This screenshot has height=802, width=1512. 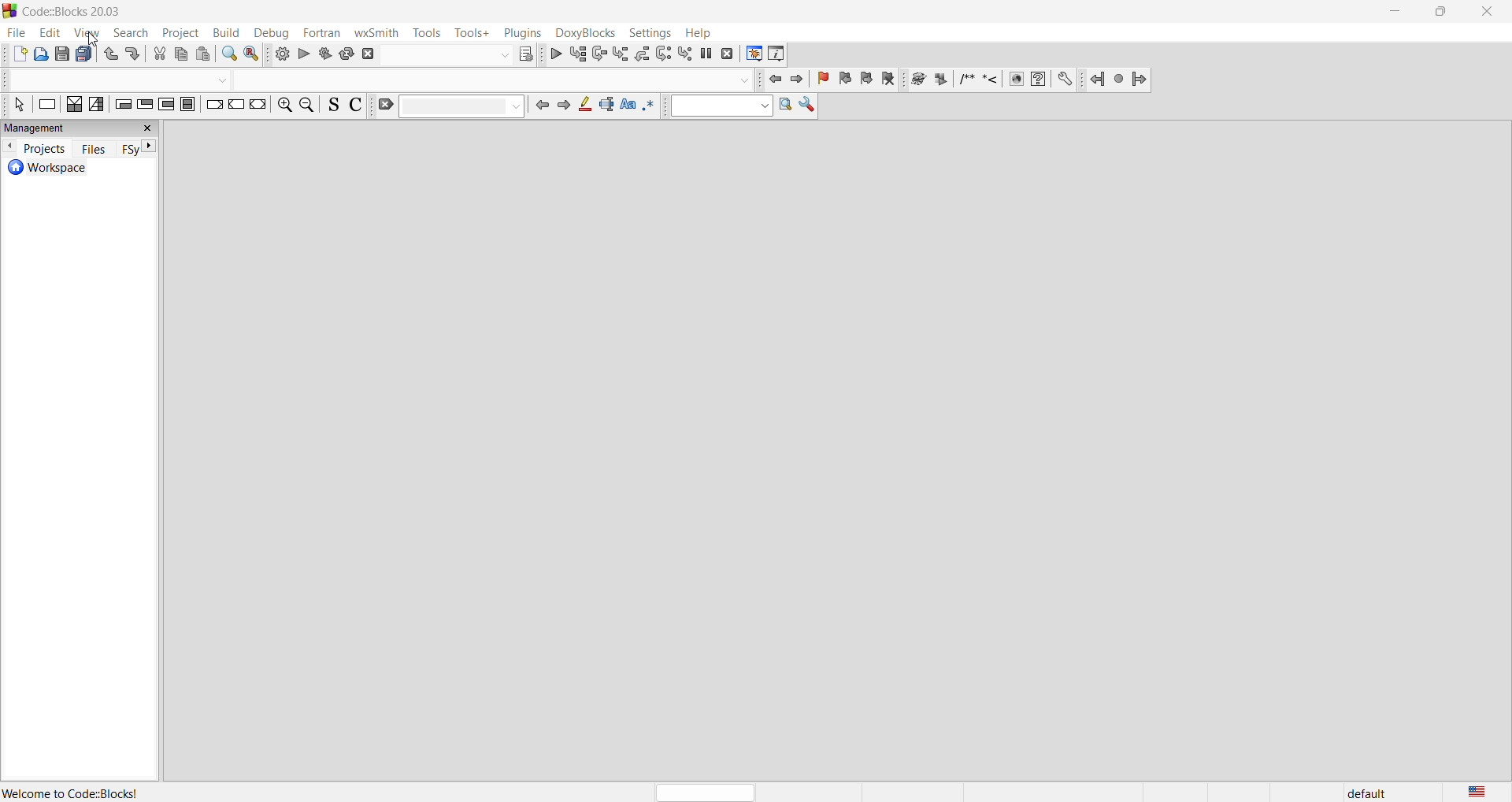 I want to click on tools, so click(x=427, y=31).